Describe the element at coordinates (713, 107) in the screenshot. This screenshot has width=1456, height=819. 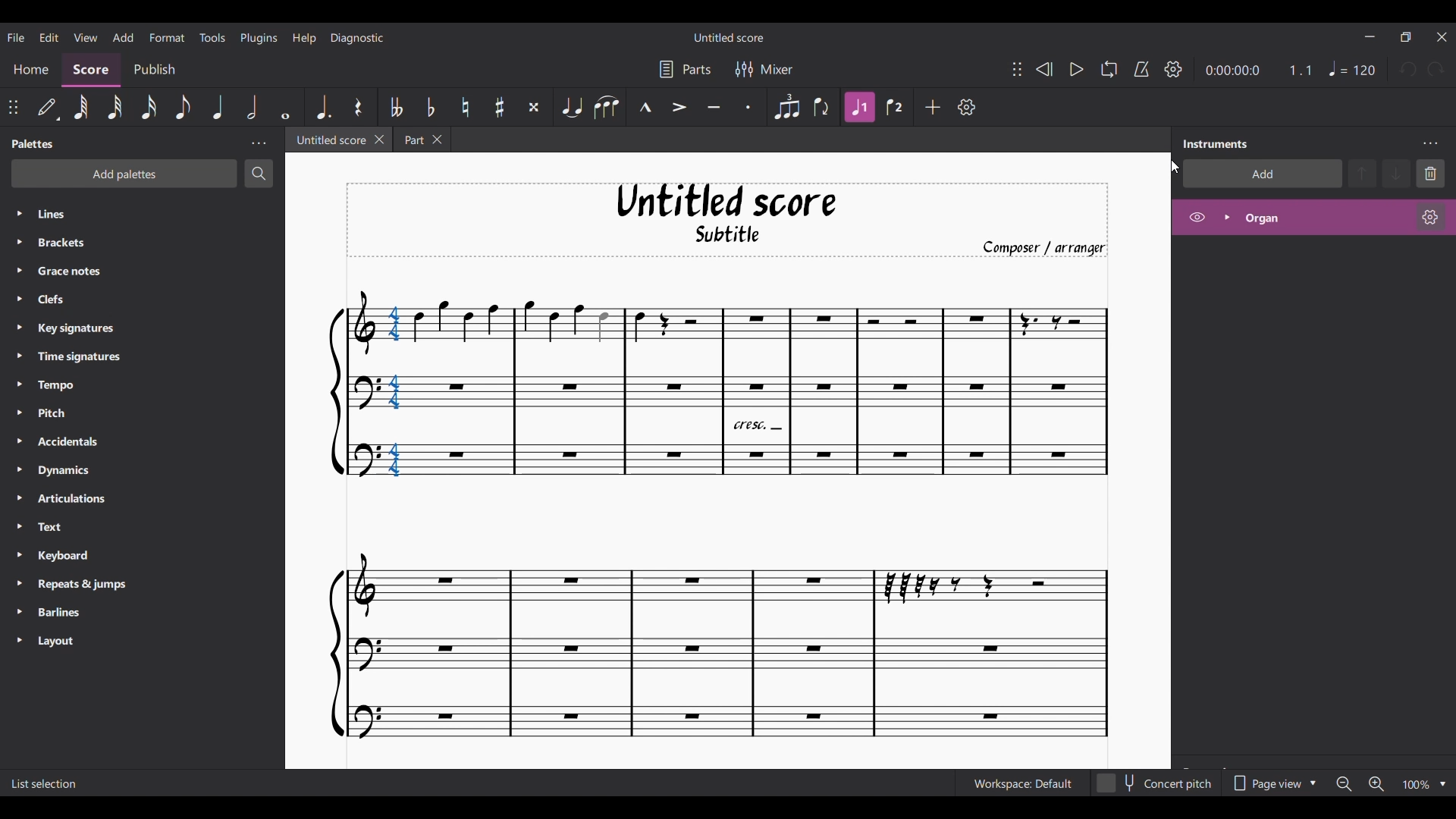
I see `Tenuto` at that location.